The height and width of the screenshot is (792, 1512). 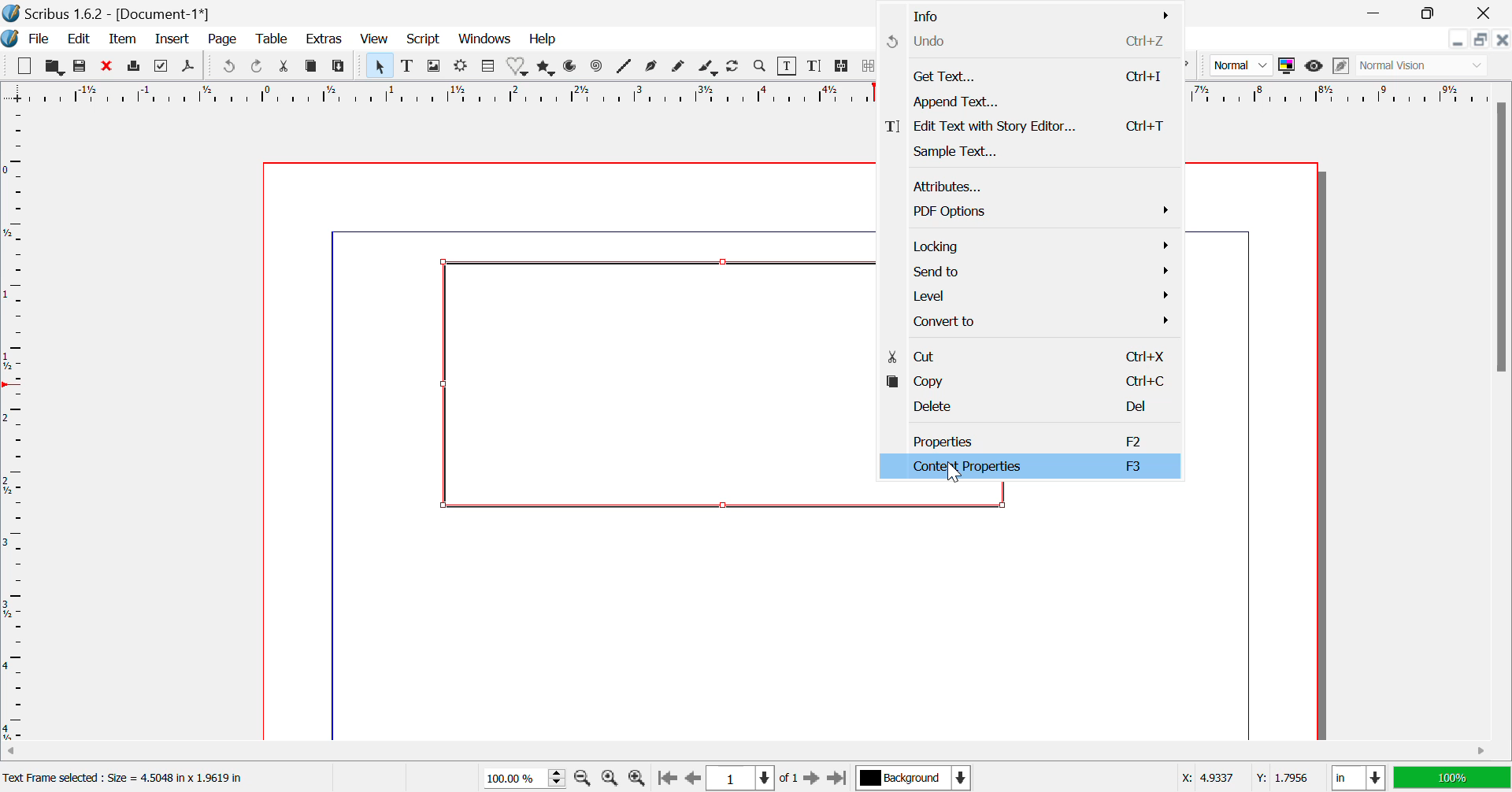 I want to click on Zoom, so click(x=762, y=68).